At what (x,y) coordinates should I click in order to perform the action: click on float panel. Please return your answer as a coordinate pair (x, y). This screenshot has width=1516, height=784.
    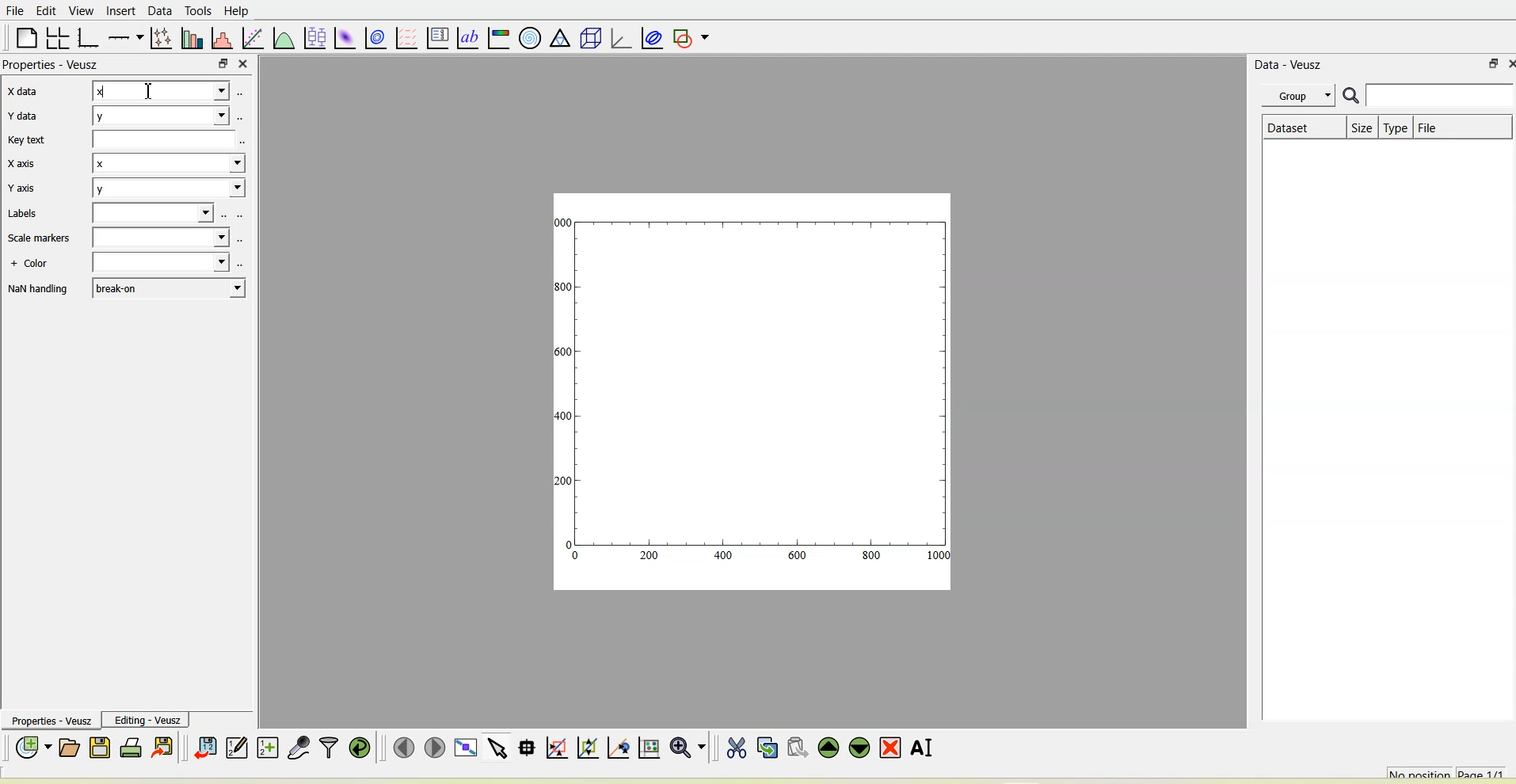
    Looking at the image, I should click on (224, 63).